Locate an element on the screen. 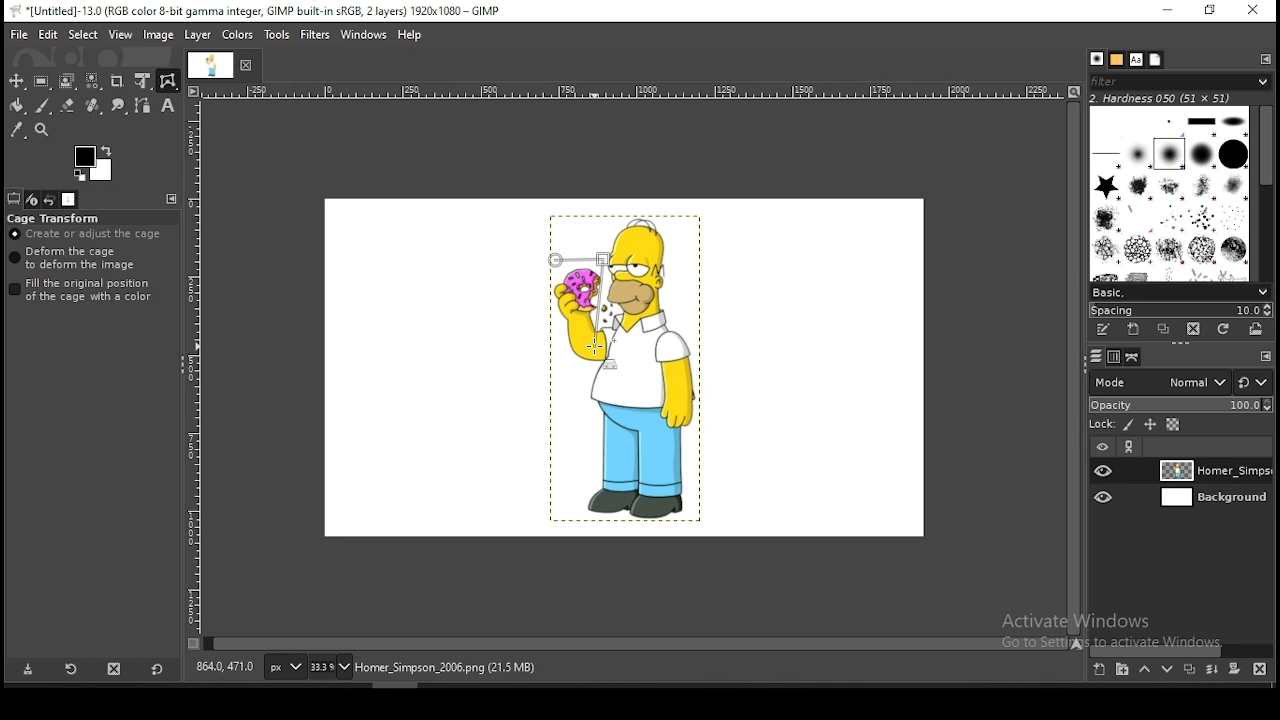 The image size is (1280, 720). mouse pointer is located at coordinates (596, 348).